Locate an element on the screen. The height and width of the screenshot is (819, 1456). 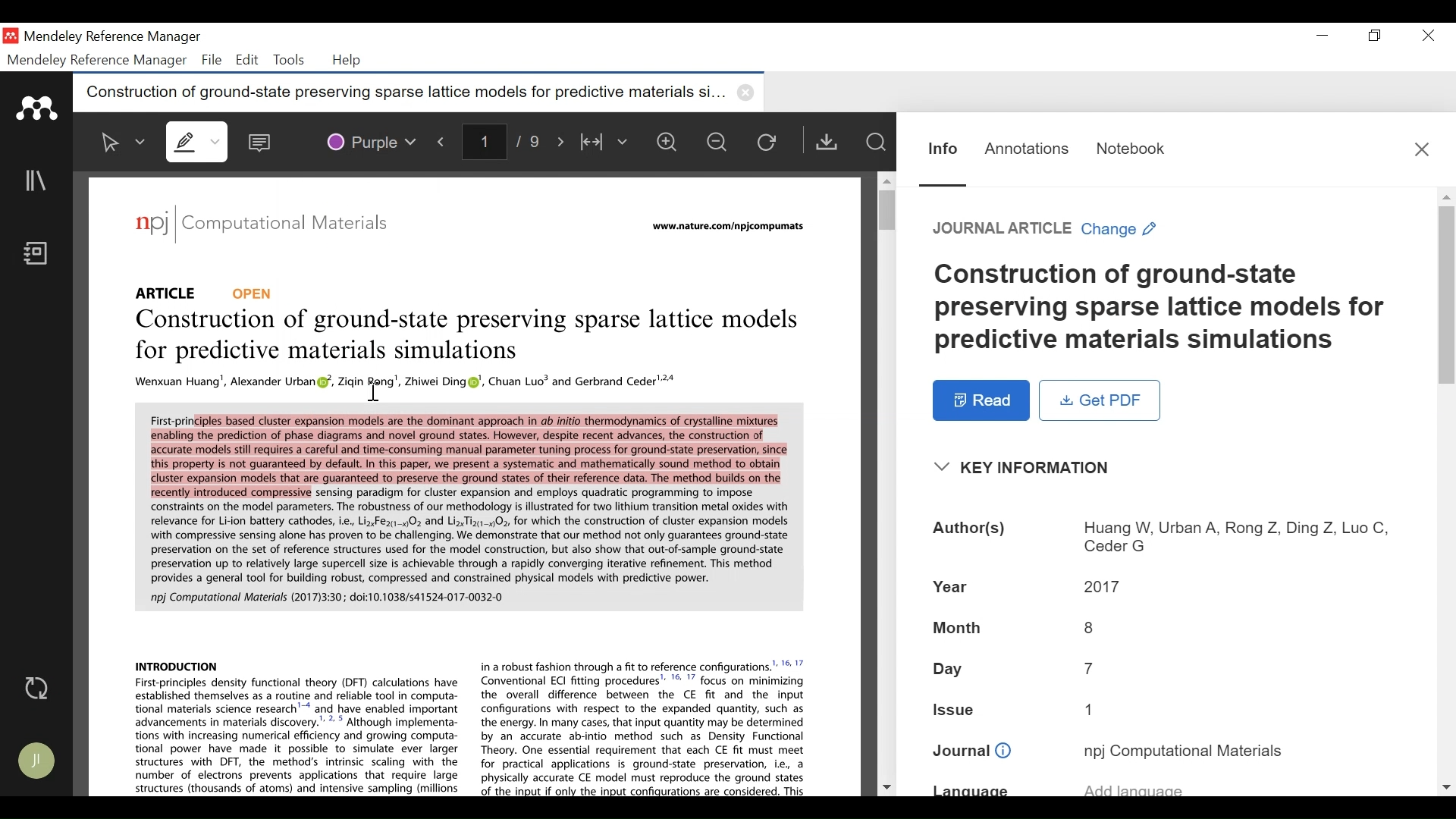
Month is located at coordinates (955, 628).